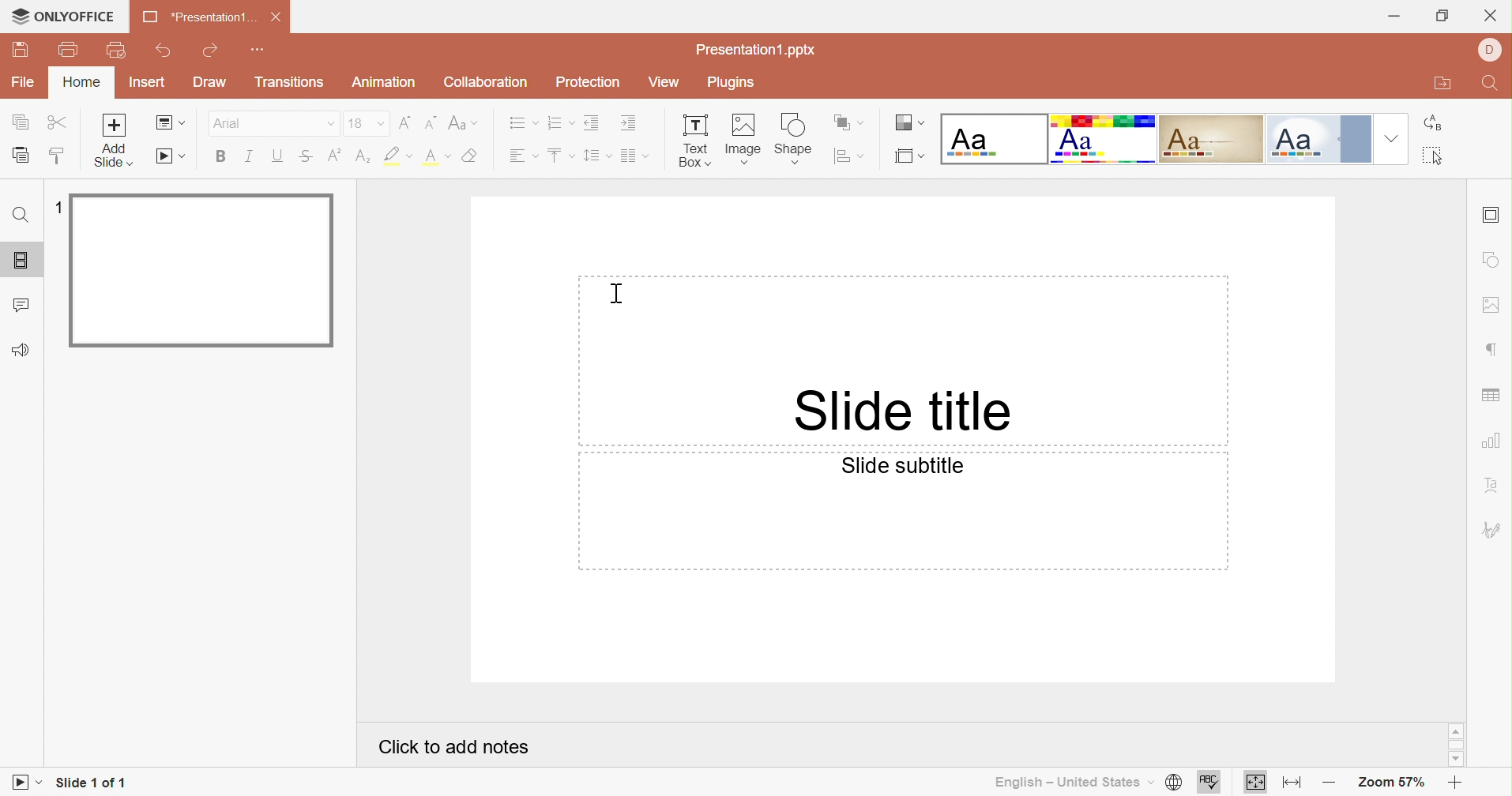  Describe the element at coordinates (1494, 51) in the screenshot. I see `DELL` at that location.